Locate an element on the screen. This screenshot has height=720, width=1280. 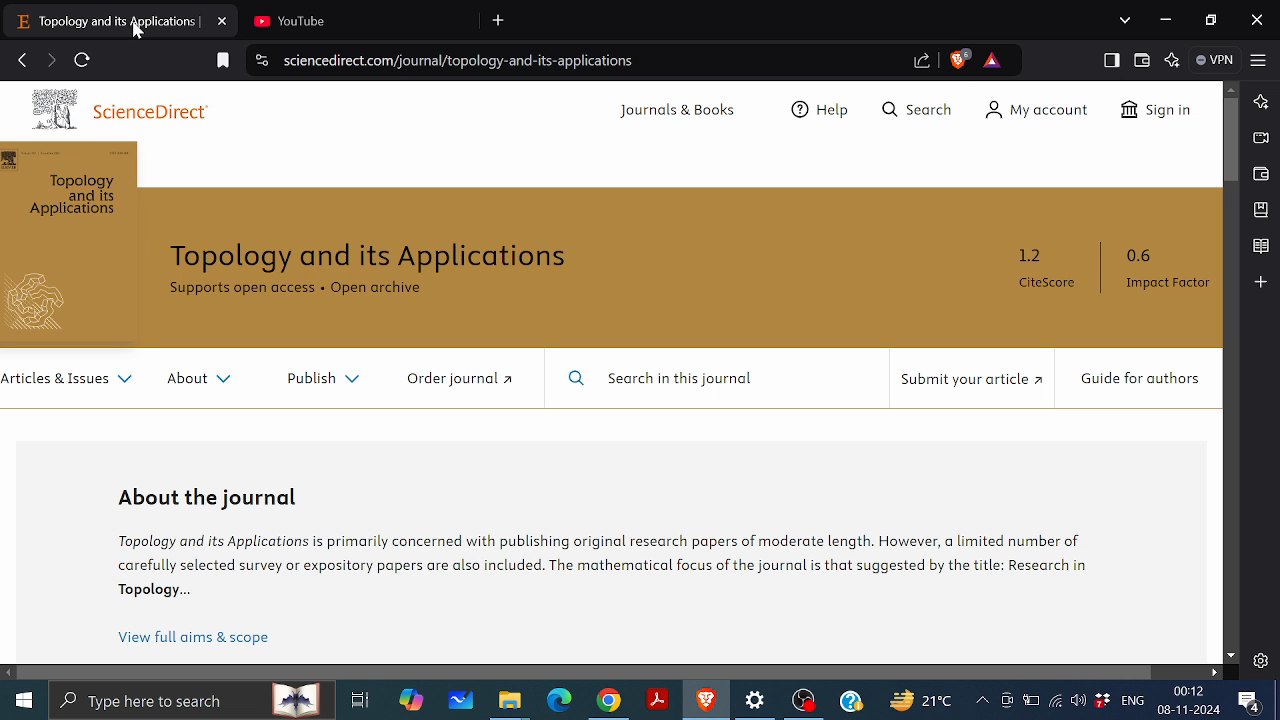
move forward is located at coordinates (50, 60).